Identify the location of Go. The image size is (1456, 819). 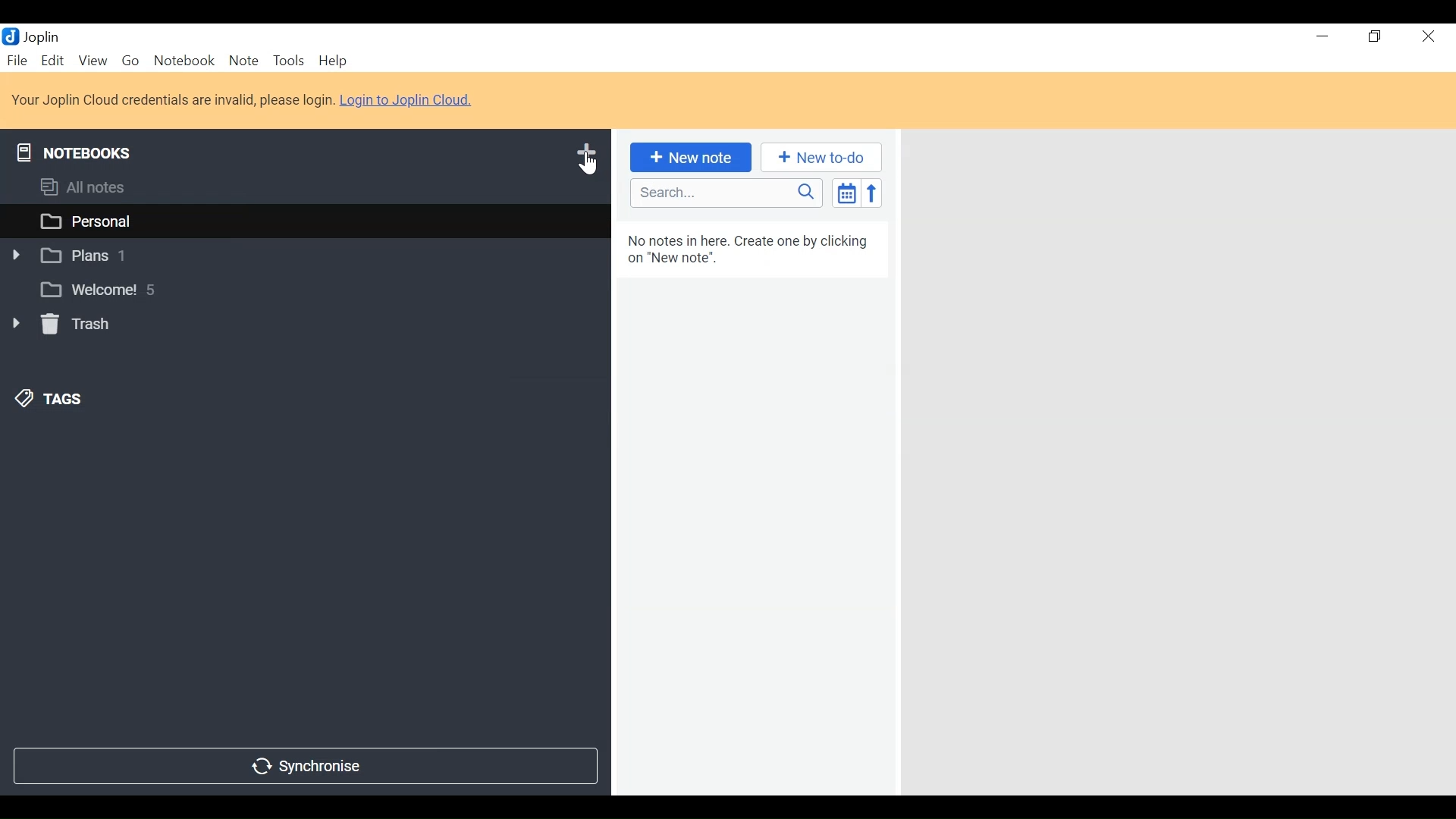
(131, 59).